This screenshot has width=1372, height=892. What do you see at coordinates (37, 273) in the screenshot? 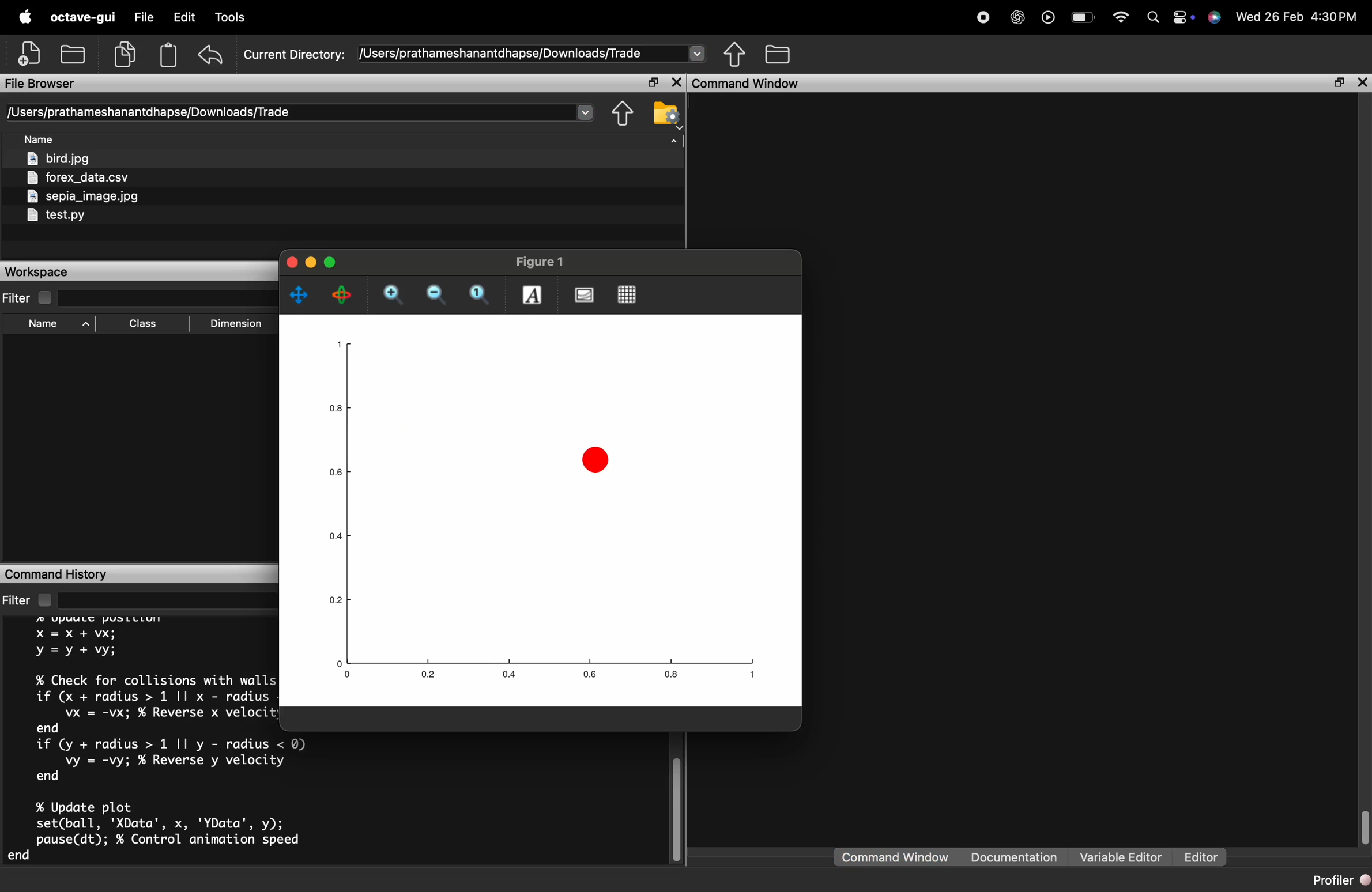
I see `Workspace` at bounding box center [37, 273].